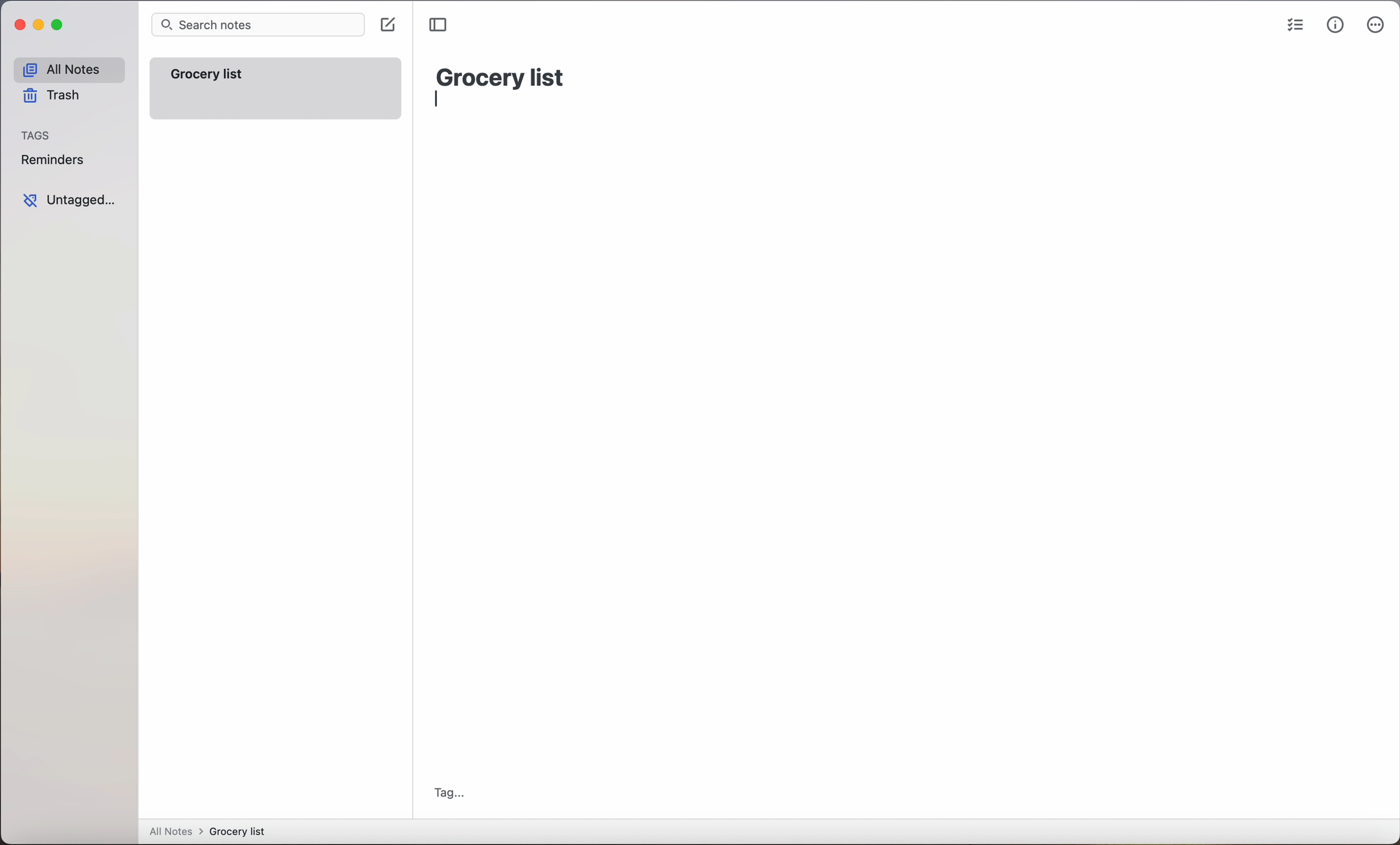  What do you see at coordinates (1296, 26) in the screenshot?
I see `checklist` at bounding box center [1296, 26].